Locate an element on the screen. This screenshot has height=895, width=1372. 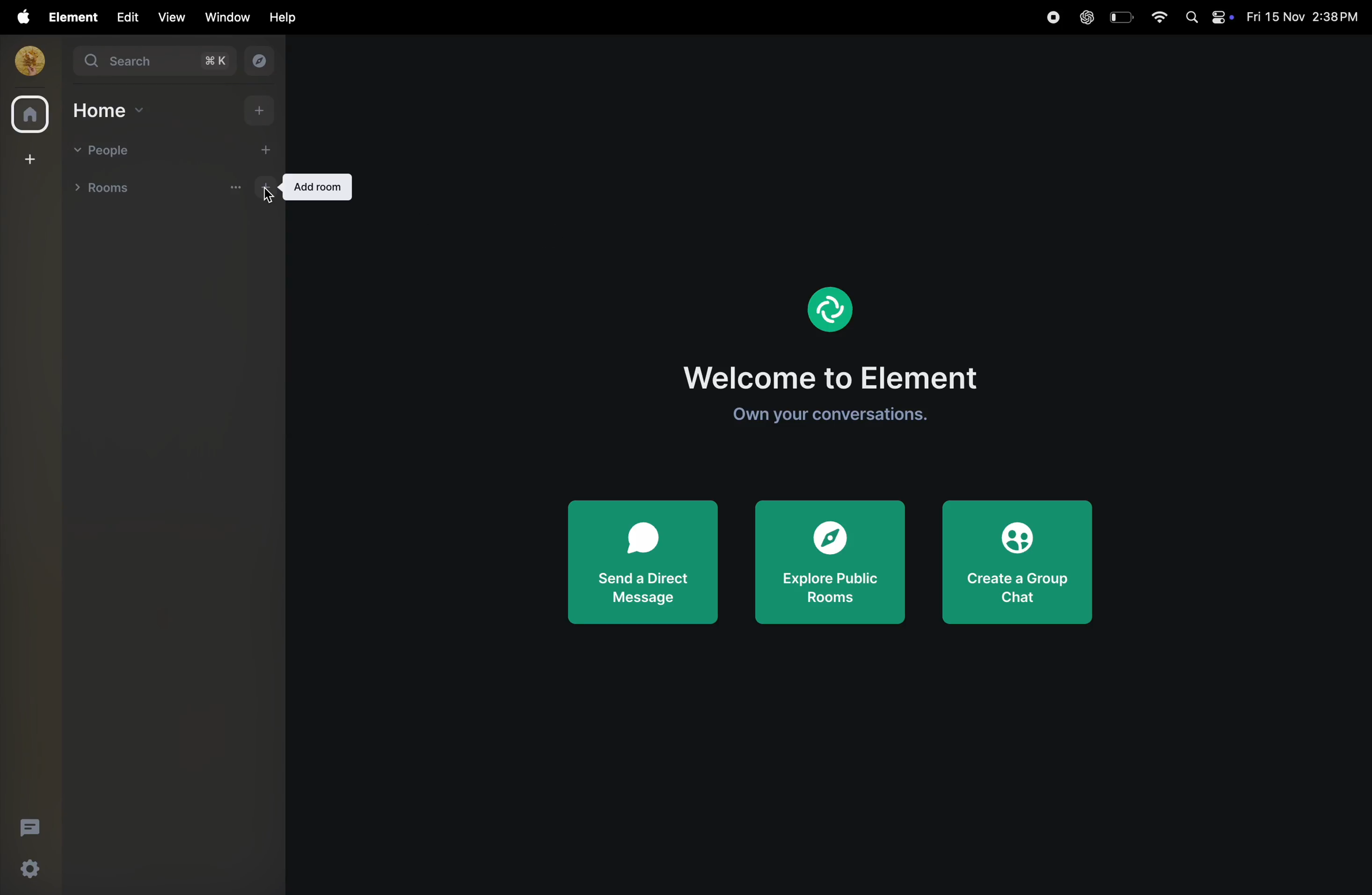
threads  is located at coordinates (29, 826).